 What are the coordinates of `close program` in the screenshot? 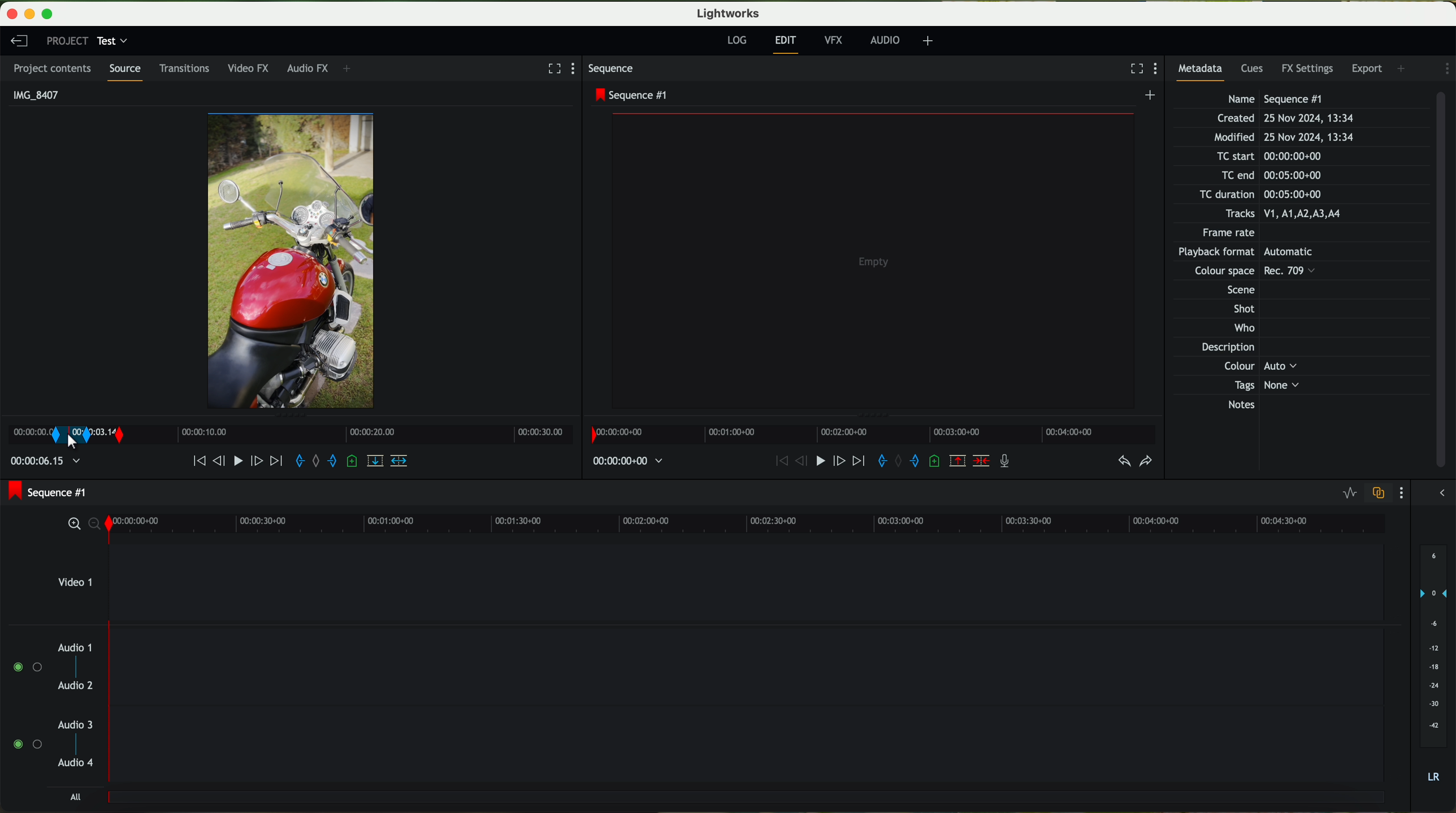 It's located at (10, 14).